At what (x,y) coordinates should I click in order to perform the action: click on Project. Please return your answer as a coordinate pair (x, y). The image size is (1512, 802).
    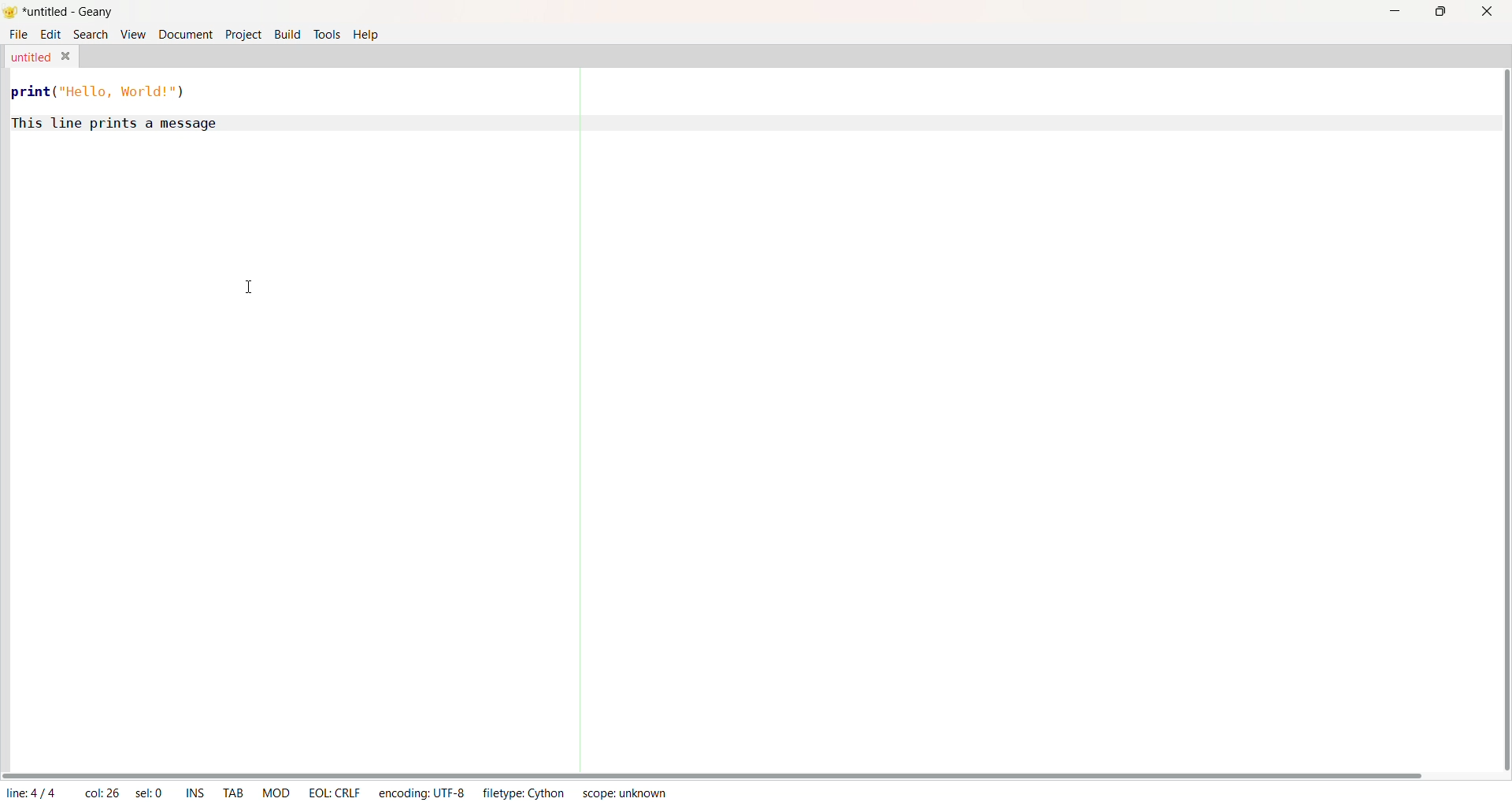
    Looking at the image, I should click on (244, 37).